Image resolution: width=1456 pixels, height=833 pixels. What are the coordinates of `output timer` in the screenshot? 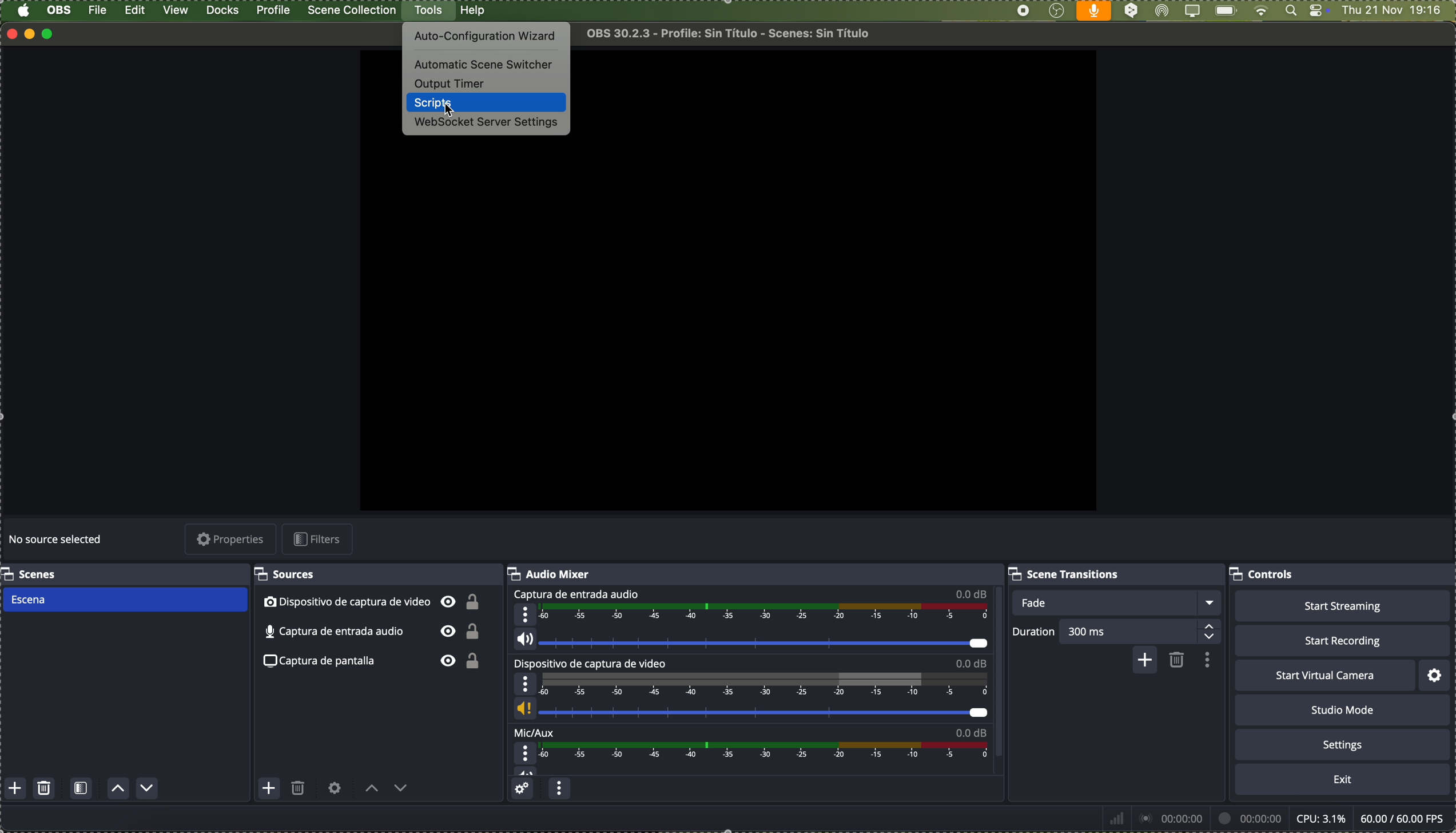 It's located at (452, 84).